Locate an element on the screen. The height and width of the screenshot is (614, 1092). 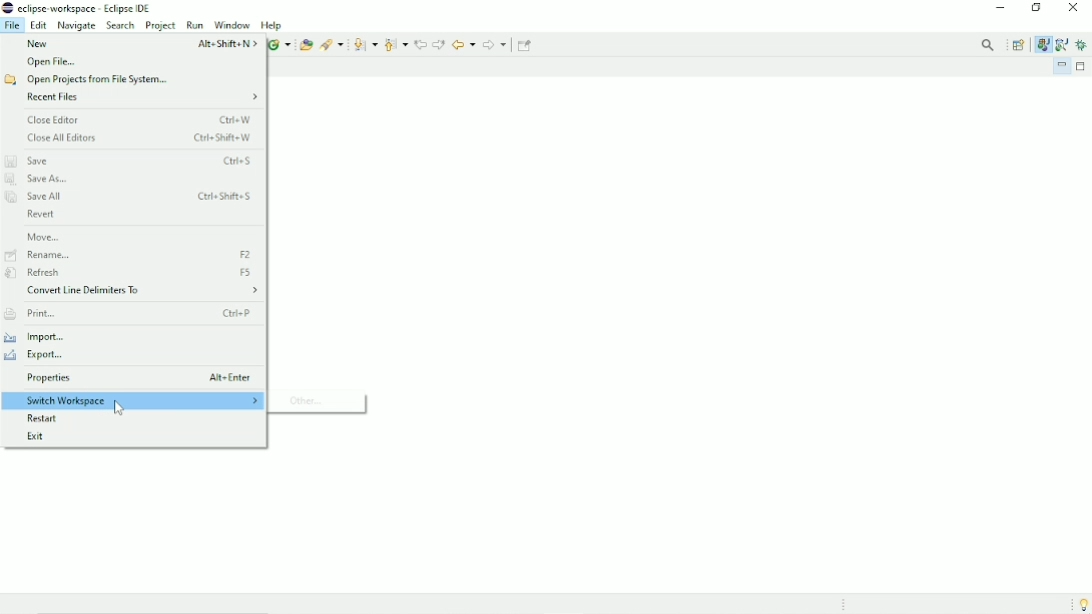
Rename is located at coordinates (131, 255).